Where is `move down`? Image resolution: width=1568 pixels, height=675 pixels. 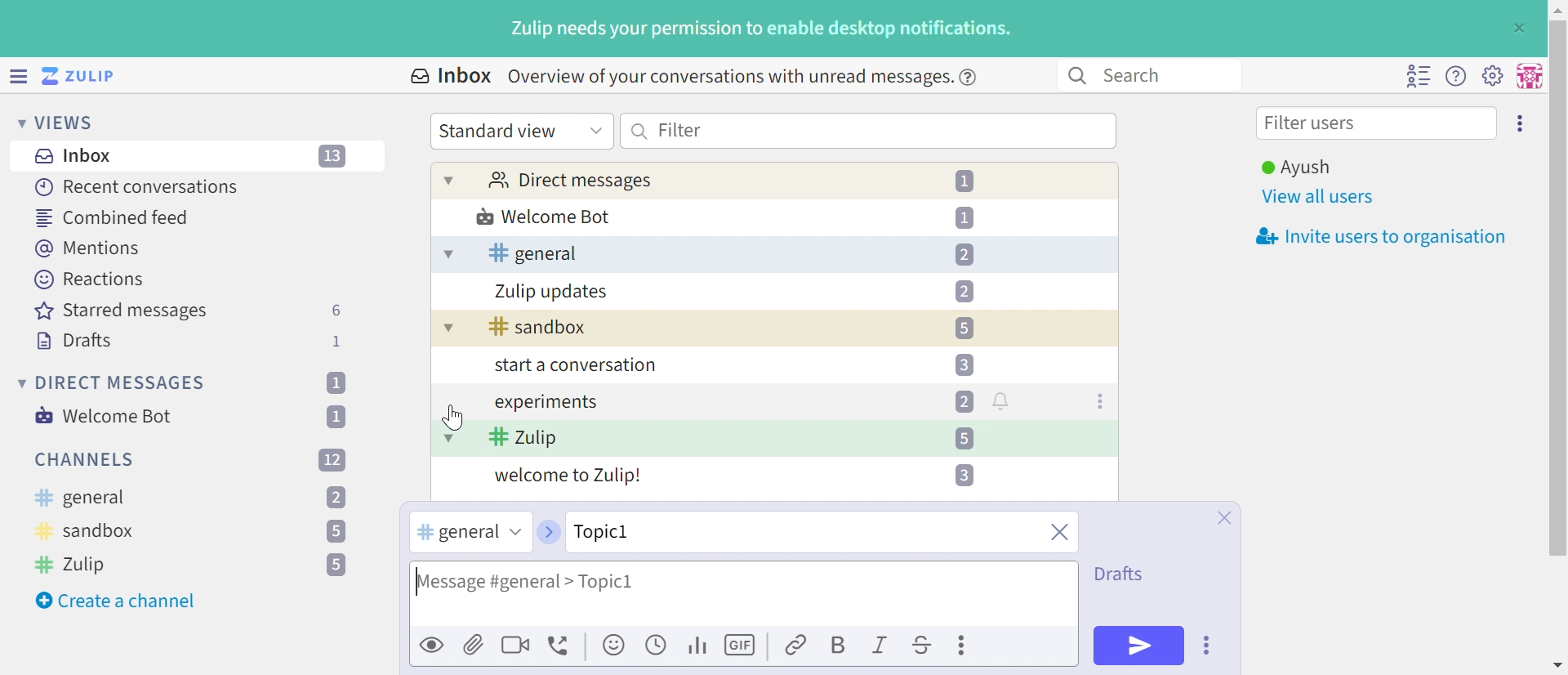
move down is located at coordinates (1557, 665).